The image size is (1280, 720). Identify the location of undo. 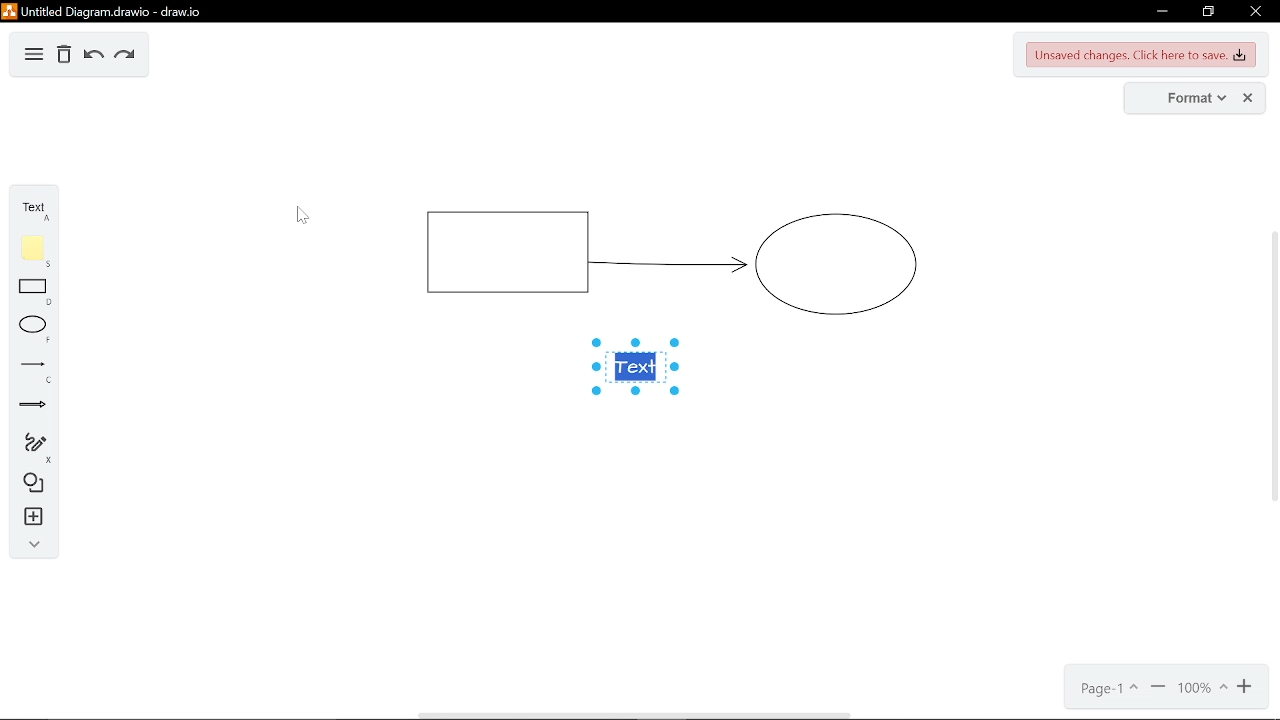
(94, 56).